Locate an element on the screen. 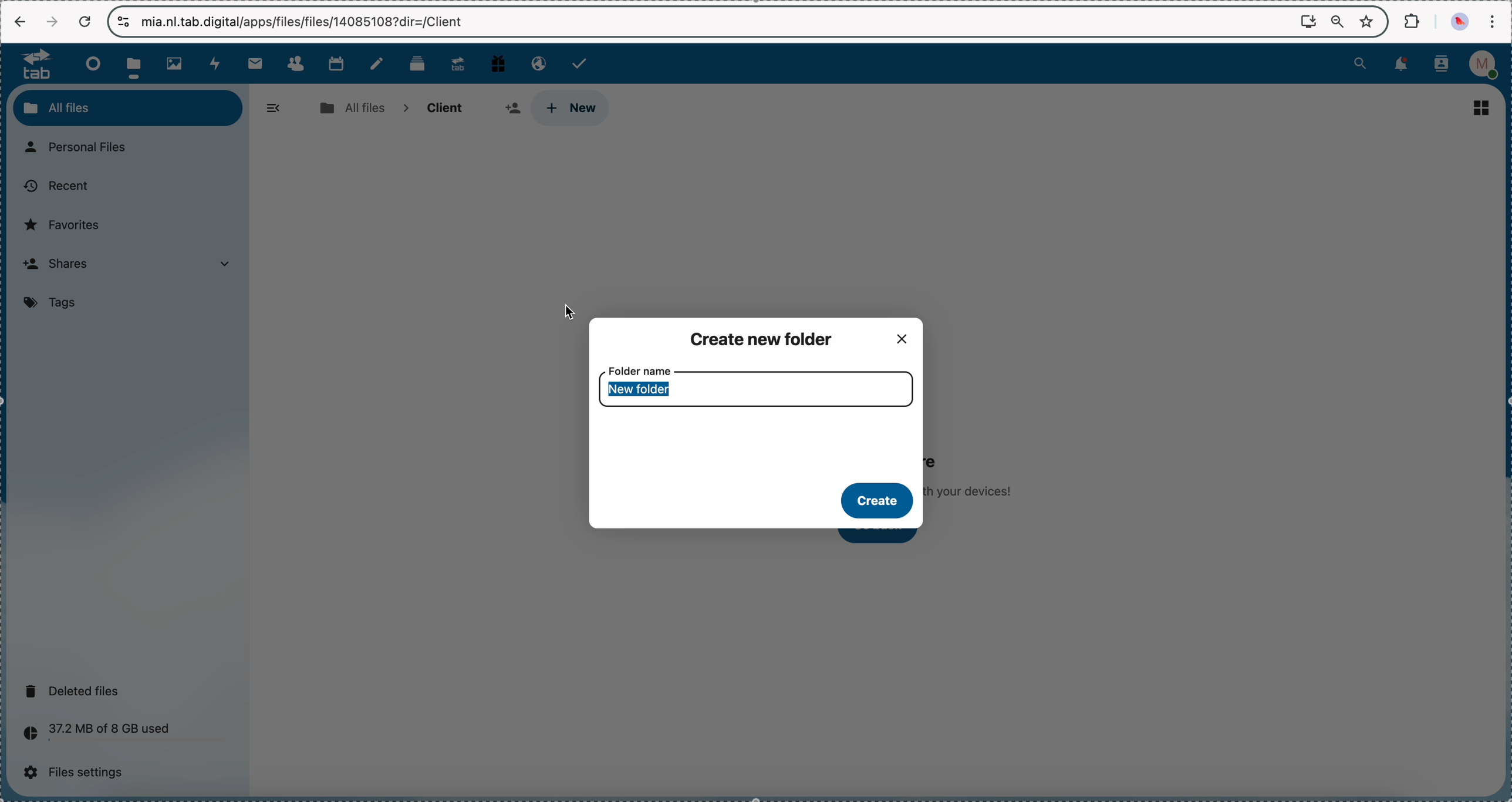 The image size is (1512, 802). extensions is located at coordinates (1413, 20).